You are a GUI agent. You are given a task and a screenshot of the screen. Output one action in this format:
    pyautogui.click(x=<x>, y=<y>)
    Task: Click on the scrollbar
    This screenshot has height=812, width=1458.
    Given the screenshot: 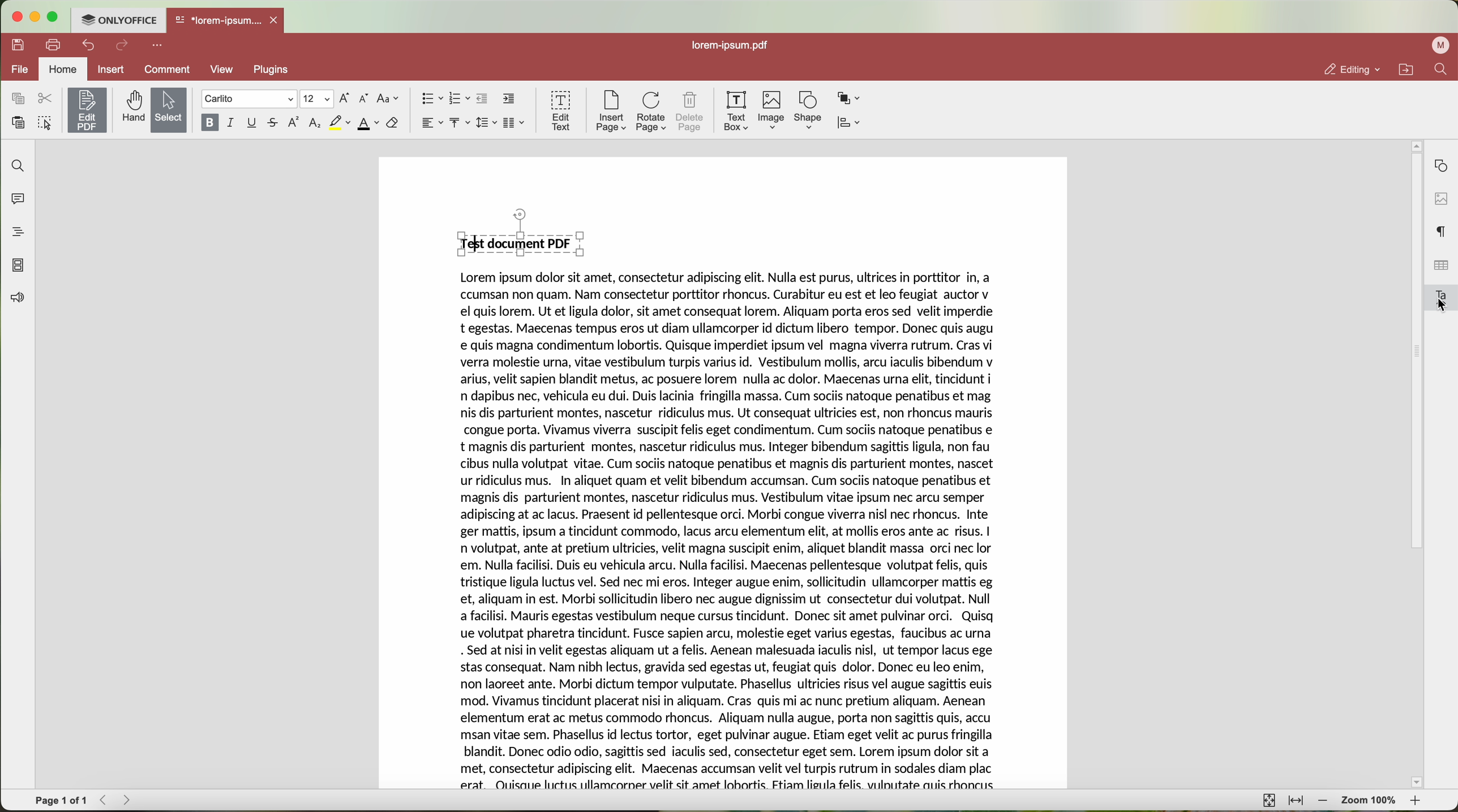 What is the action you would take?
    pyautogui.click(x=1415, y=460)
    